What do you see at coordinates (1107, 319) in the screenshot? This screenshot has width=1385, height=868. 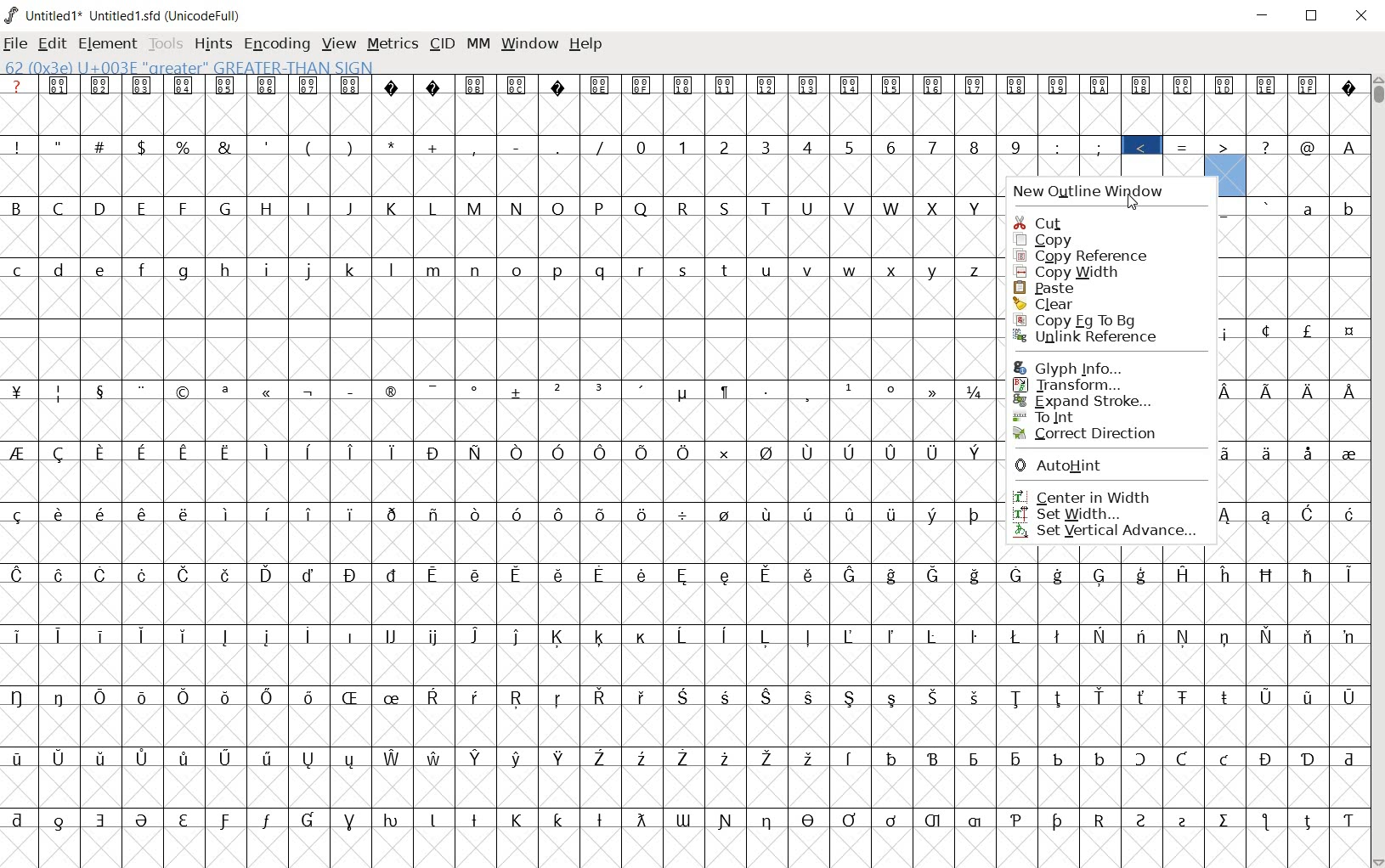 I see `Copy Fg to Bg` at bounding box center [1107, 319].